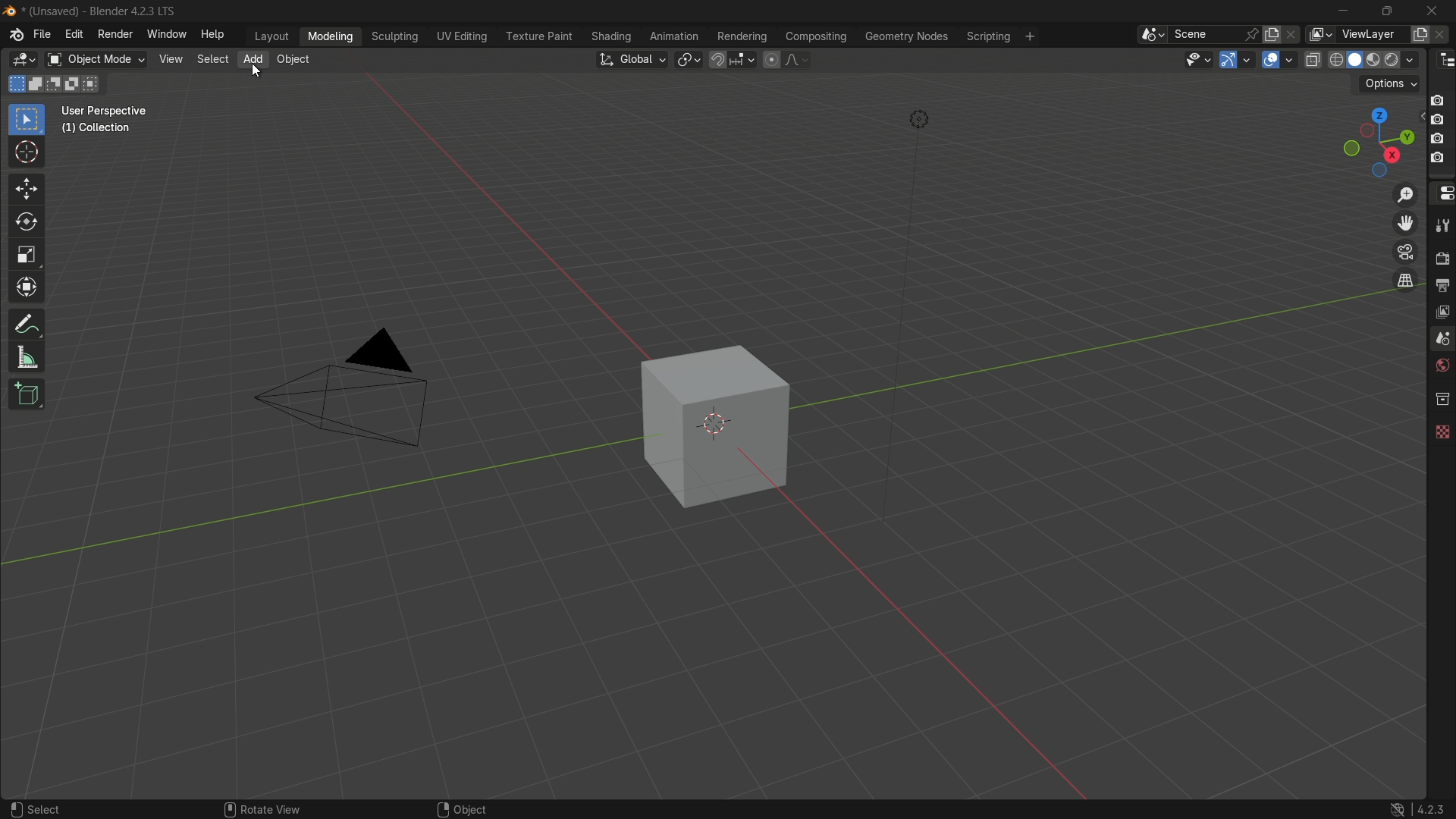  What do you see at coordinates (742, 36) in the screenshot?
I see `rendering menu` at bounding box center [742, 36].